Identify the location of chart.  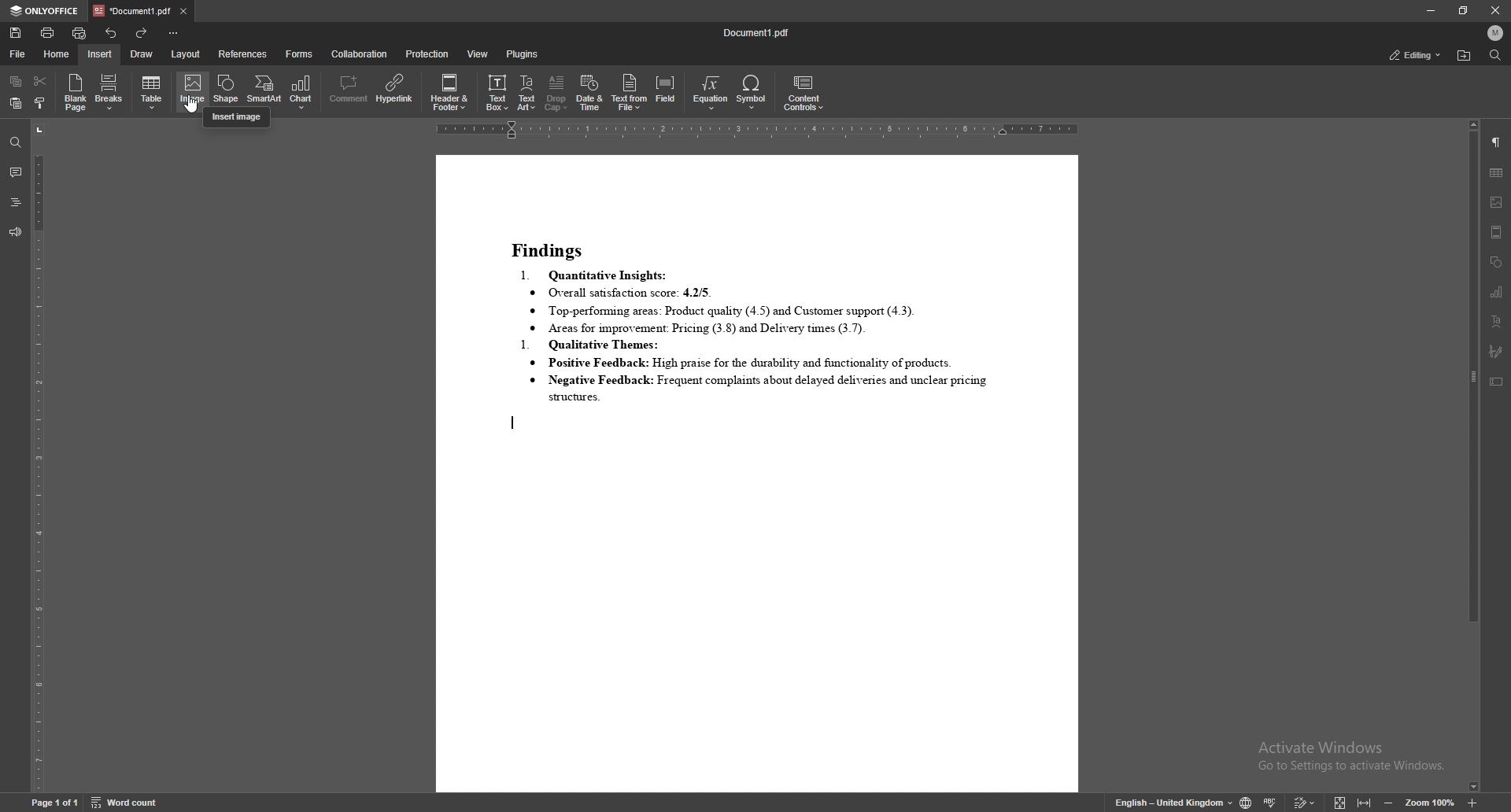
(1497, 291).